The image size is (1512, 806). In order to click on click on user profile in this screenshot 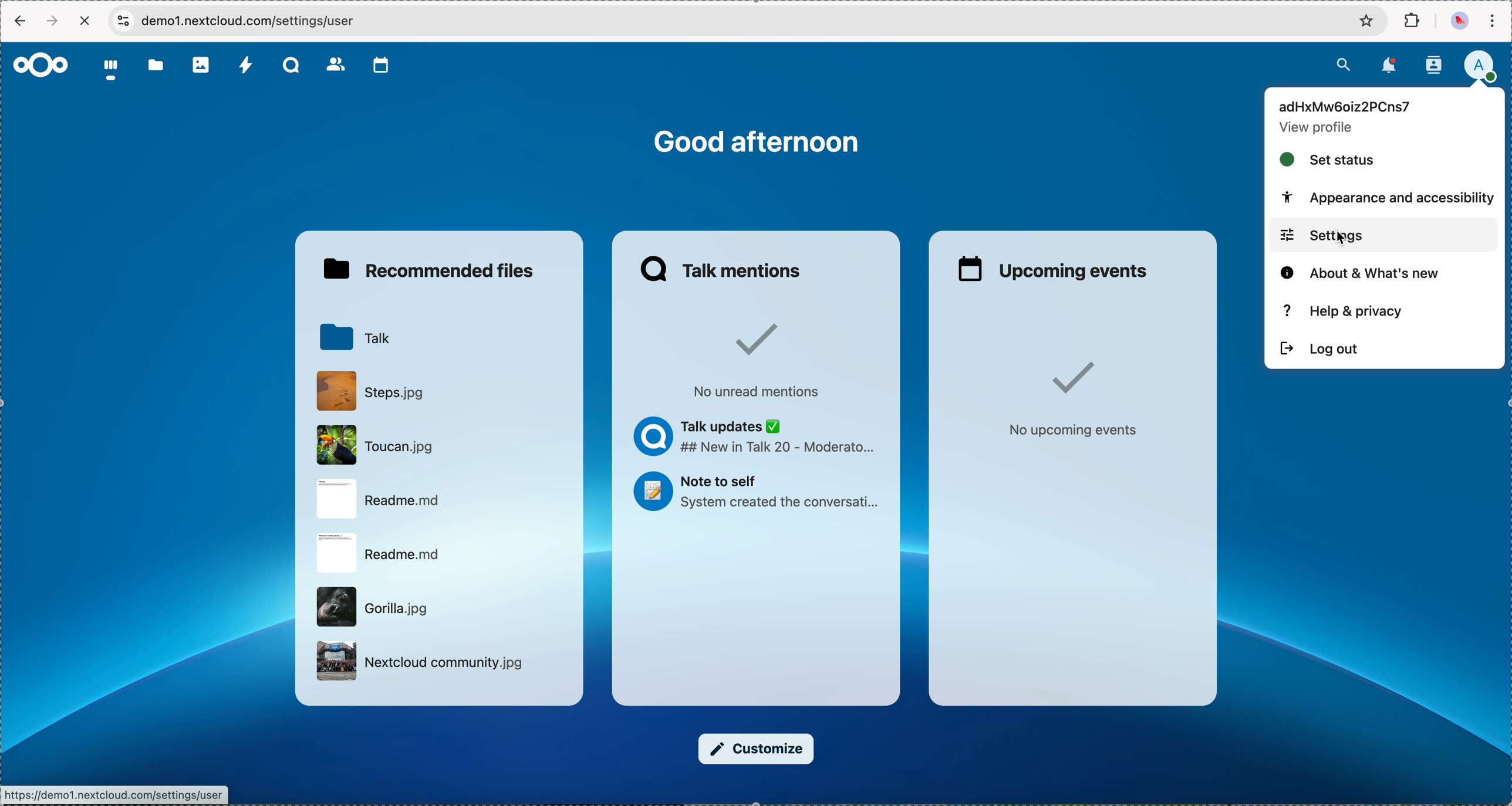, I will do `click(1484, 67)`.